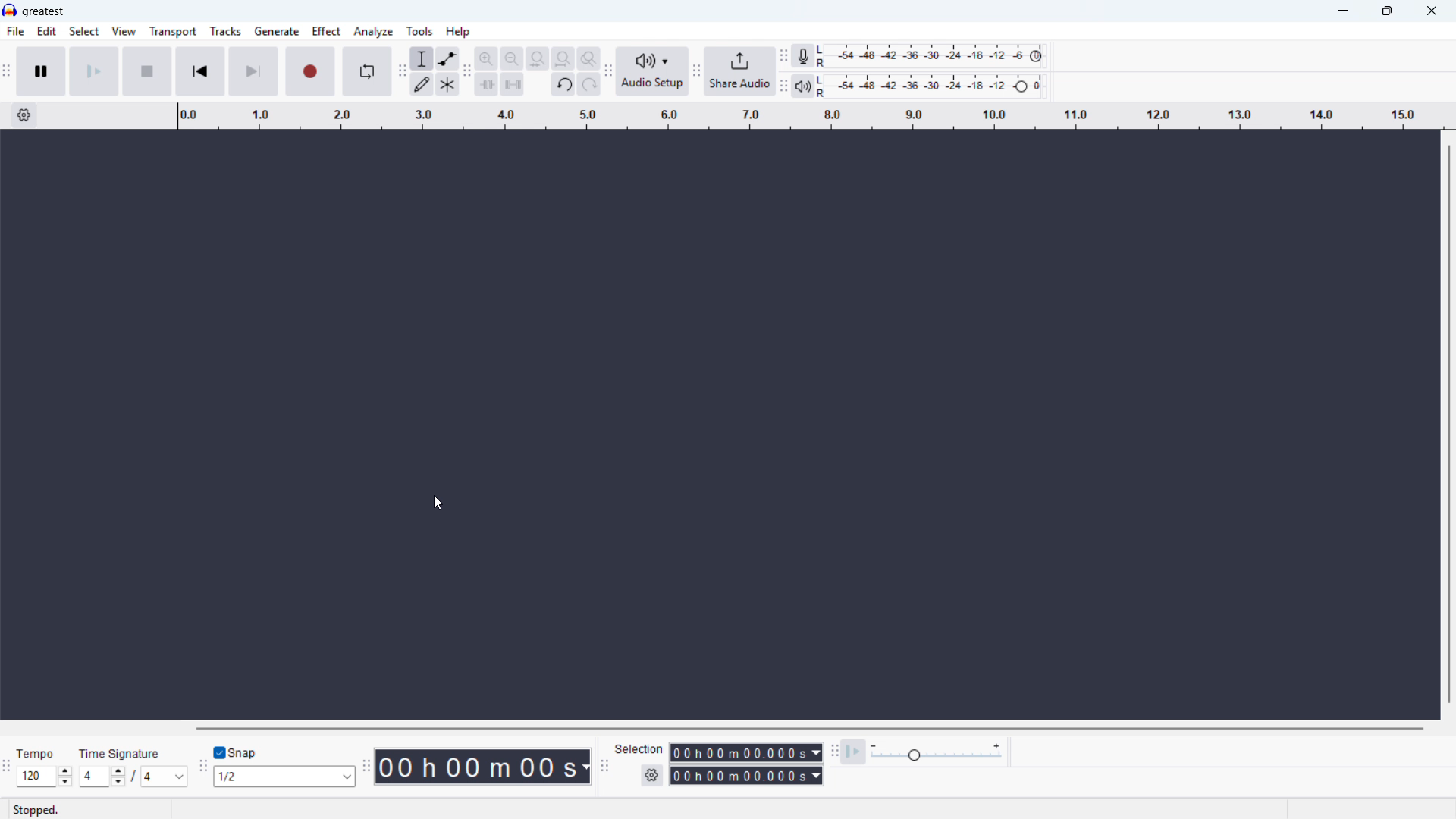  Describe the element at coordinates (589, 58) in the screenshot. I see `Toggle zoom ` at that location.